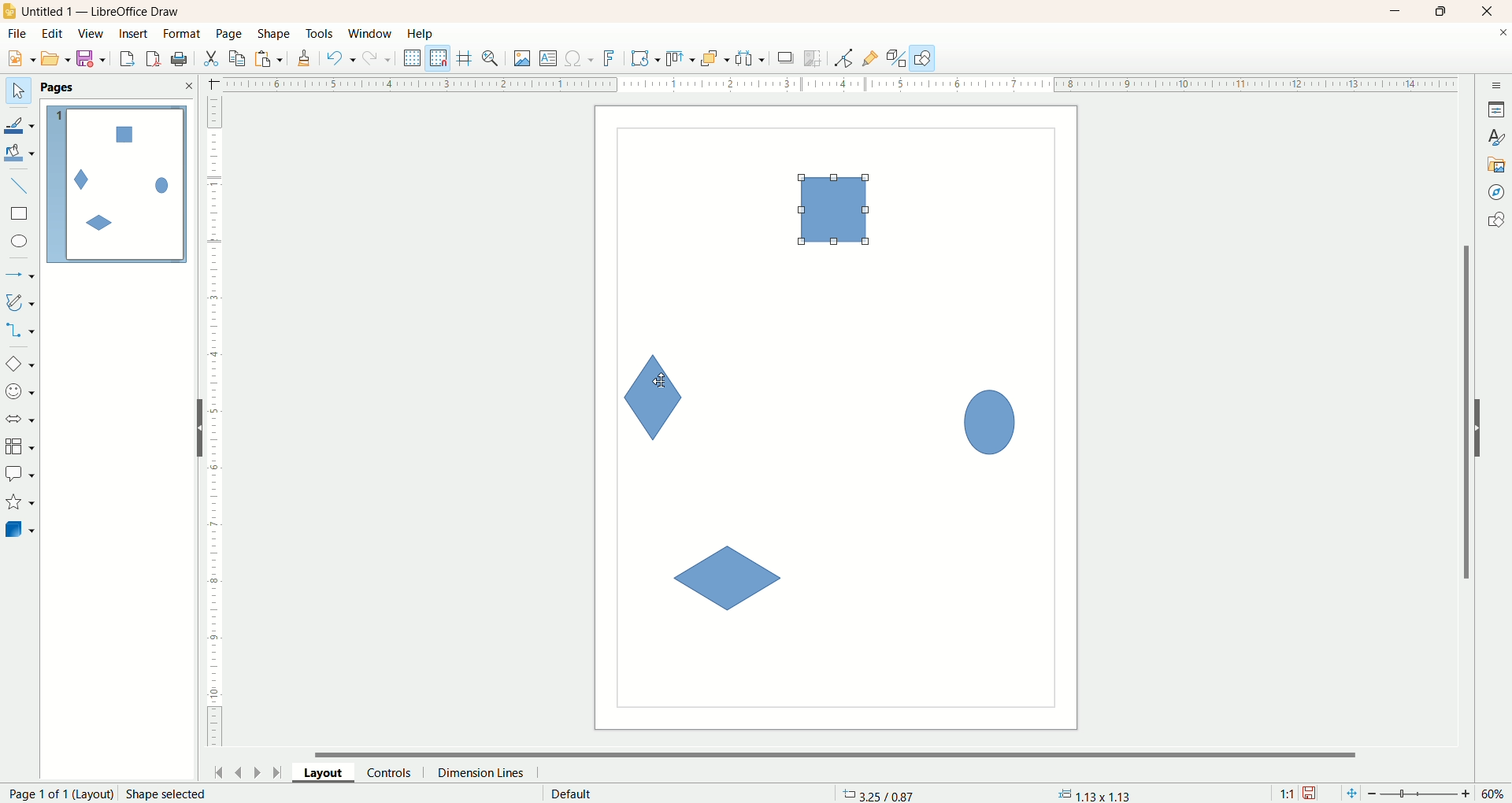 This screenshot has height=803, width=1512. I want to click on flowchart, so click(20, 447).